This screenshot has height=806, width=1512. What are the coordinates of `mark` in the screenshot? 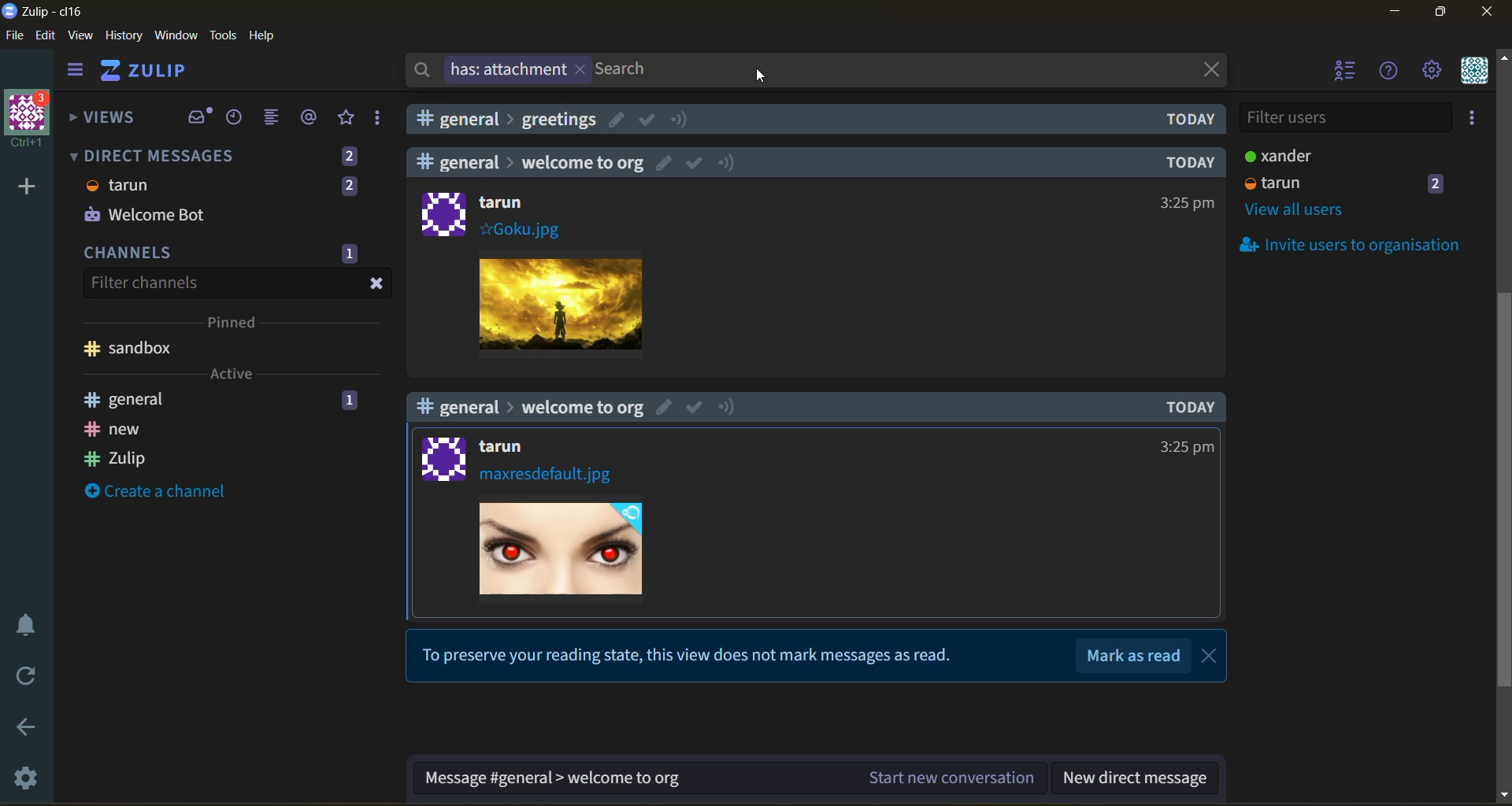 It's located at (695, 165).